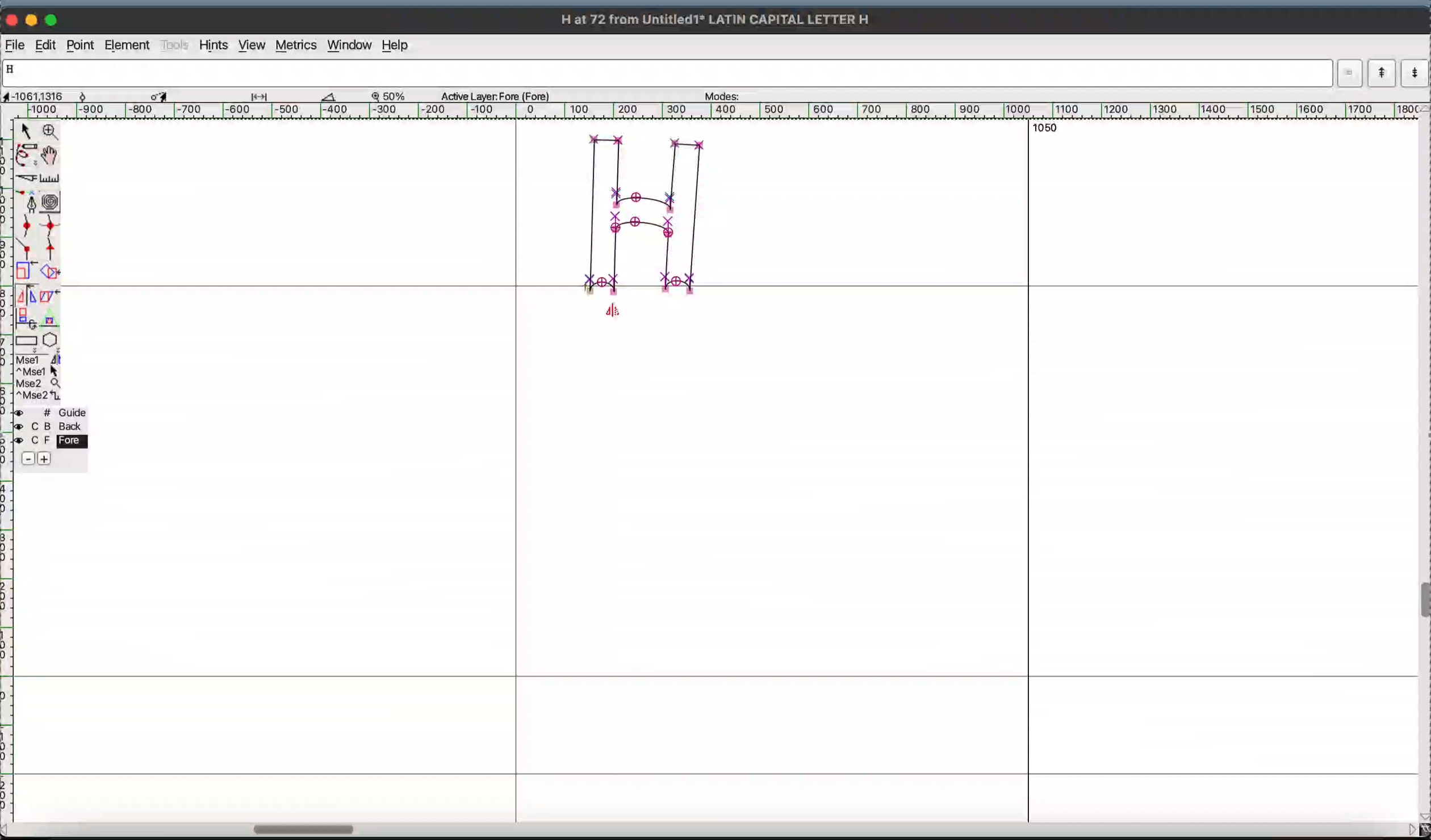 The height and width of the screenshot is (840, 1431). I want to click on H at 72 from Untitled1 LATIN CAPITAL LETTER H, so click(720, 18).